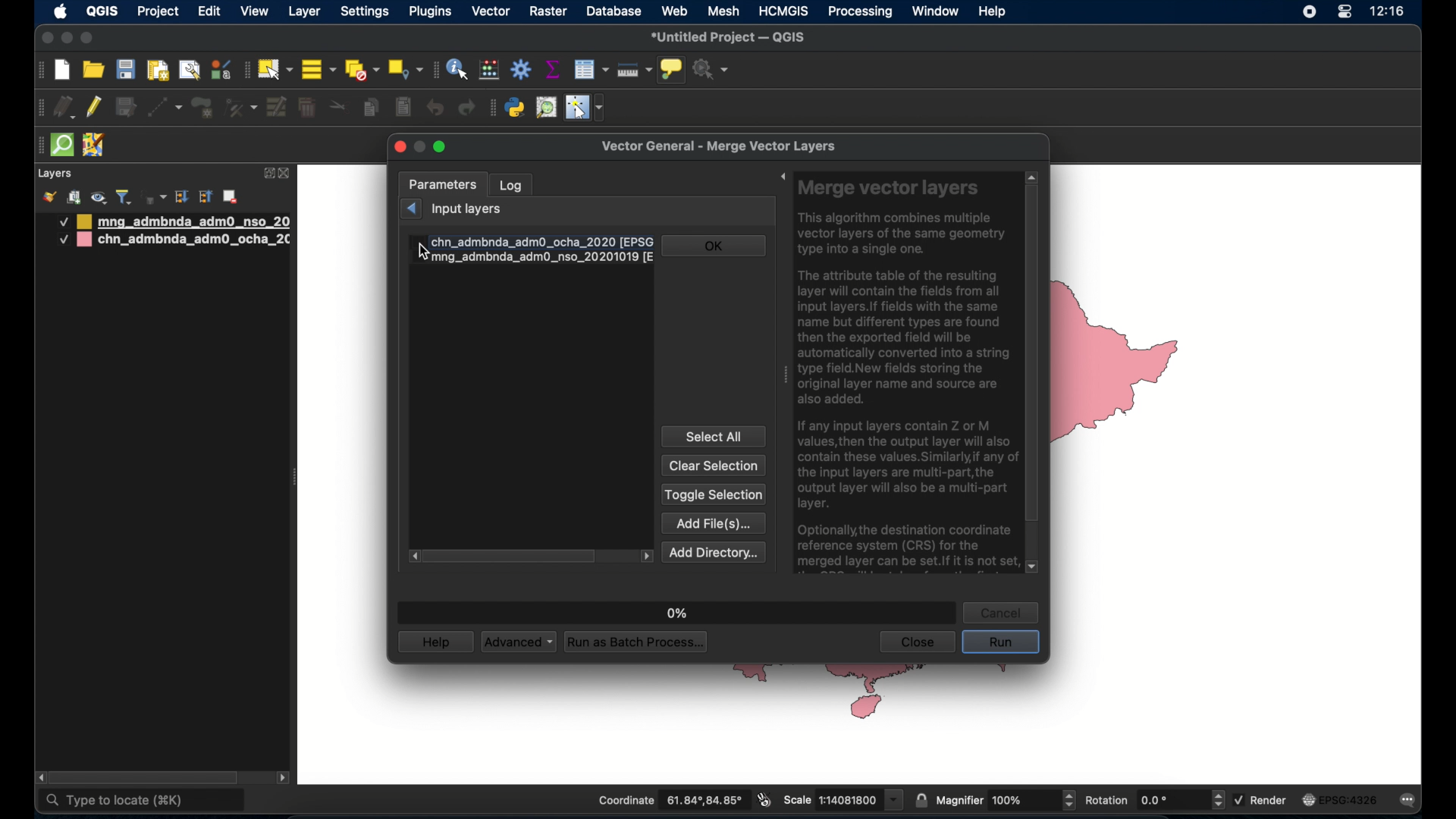 This screenshot has width=1456, height=819. I want to click on ok button, so click(715, 245).